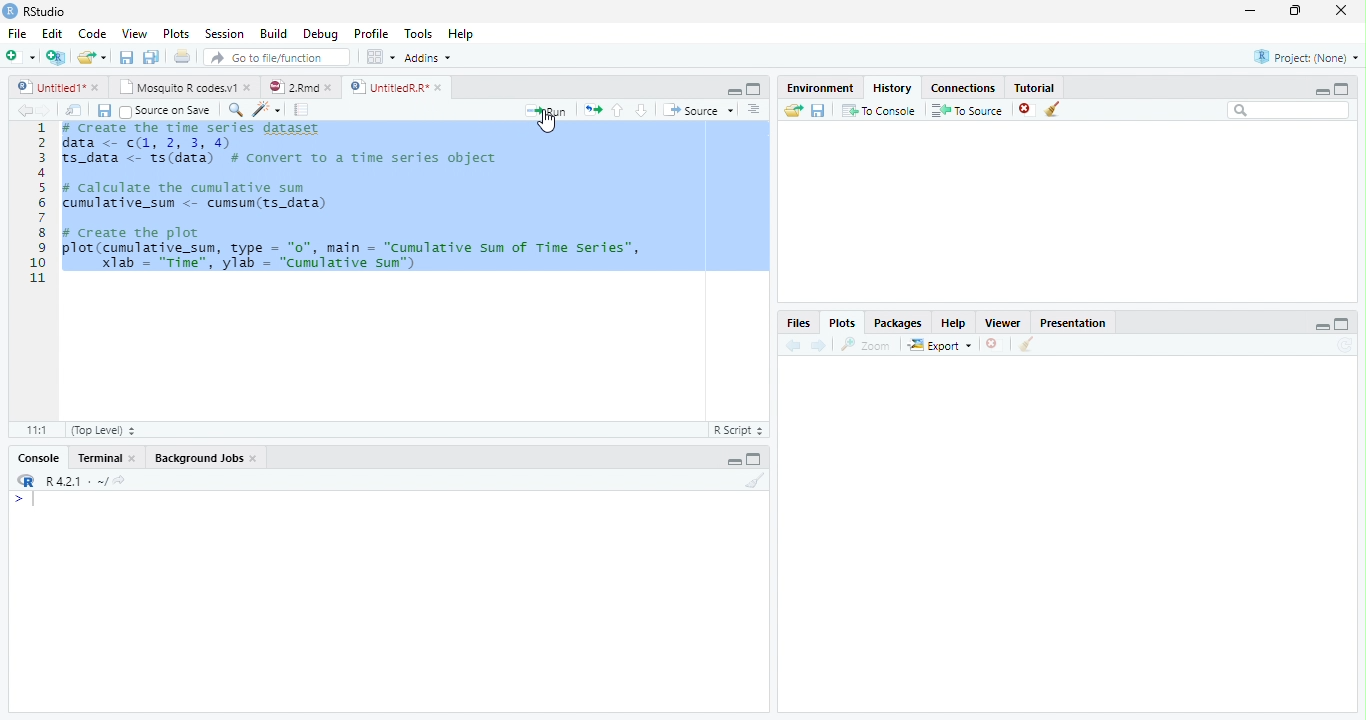 Image resolution: width=1366 pixels, height=720 pixels. I want to click on Tools, so click(418, 35).